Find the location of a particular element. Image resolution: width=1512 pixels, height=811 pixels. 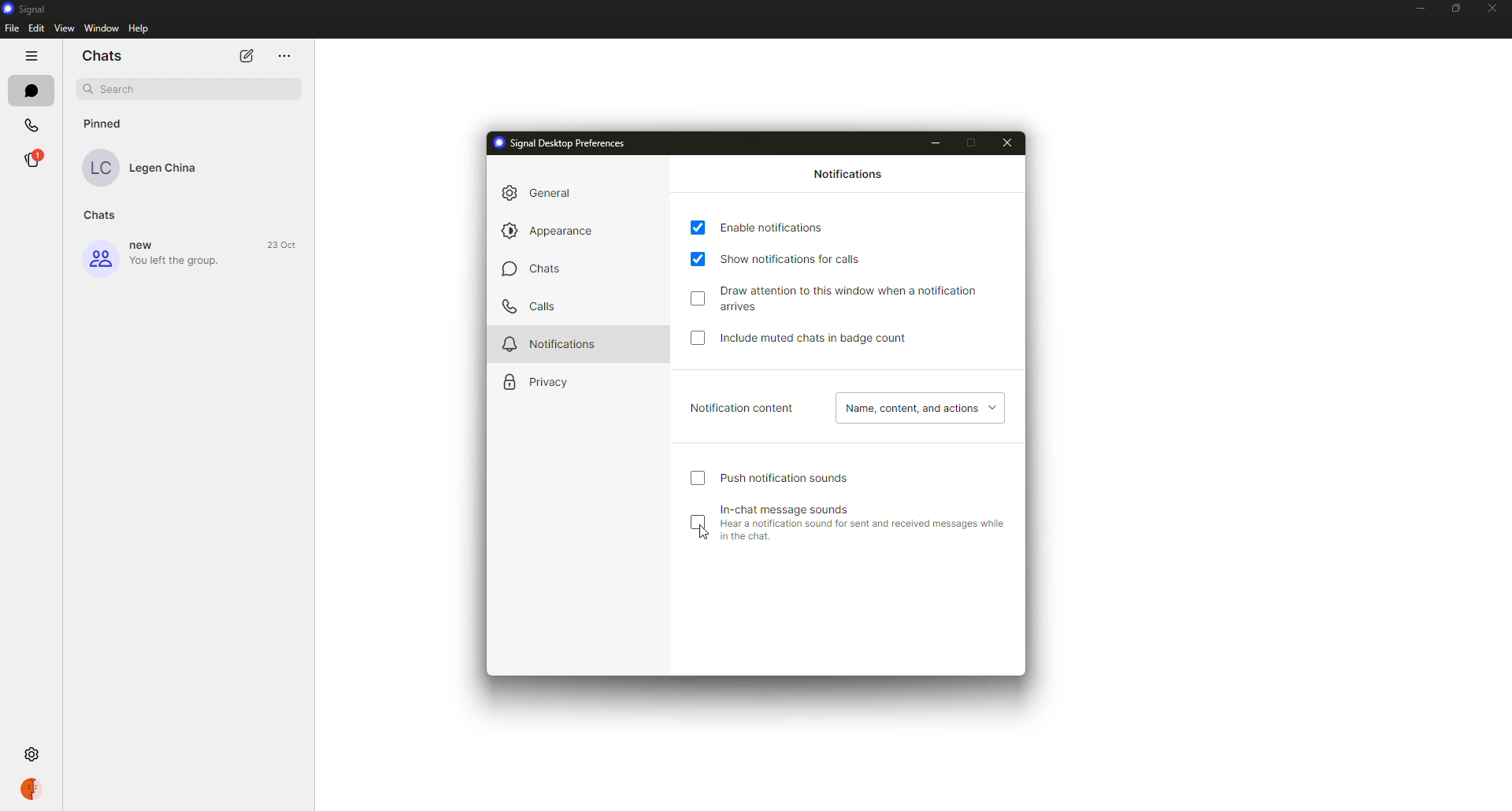

edit is located at coordinates (246, 55).